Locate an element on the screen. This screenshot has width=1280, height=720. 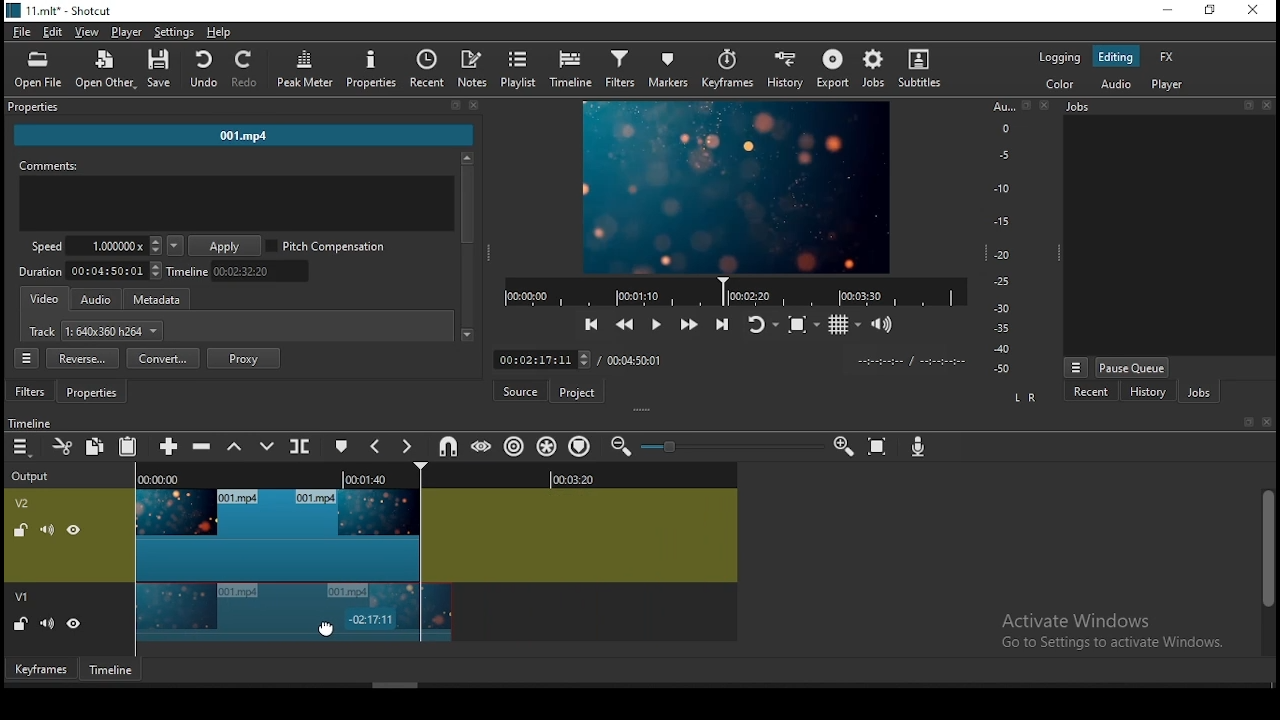
pitch compensation is located at coordinates (327, 247).